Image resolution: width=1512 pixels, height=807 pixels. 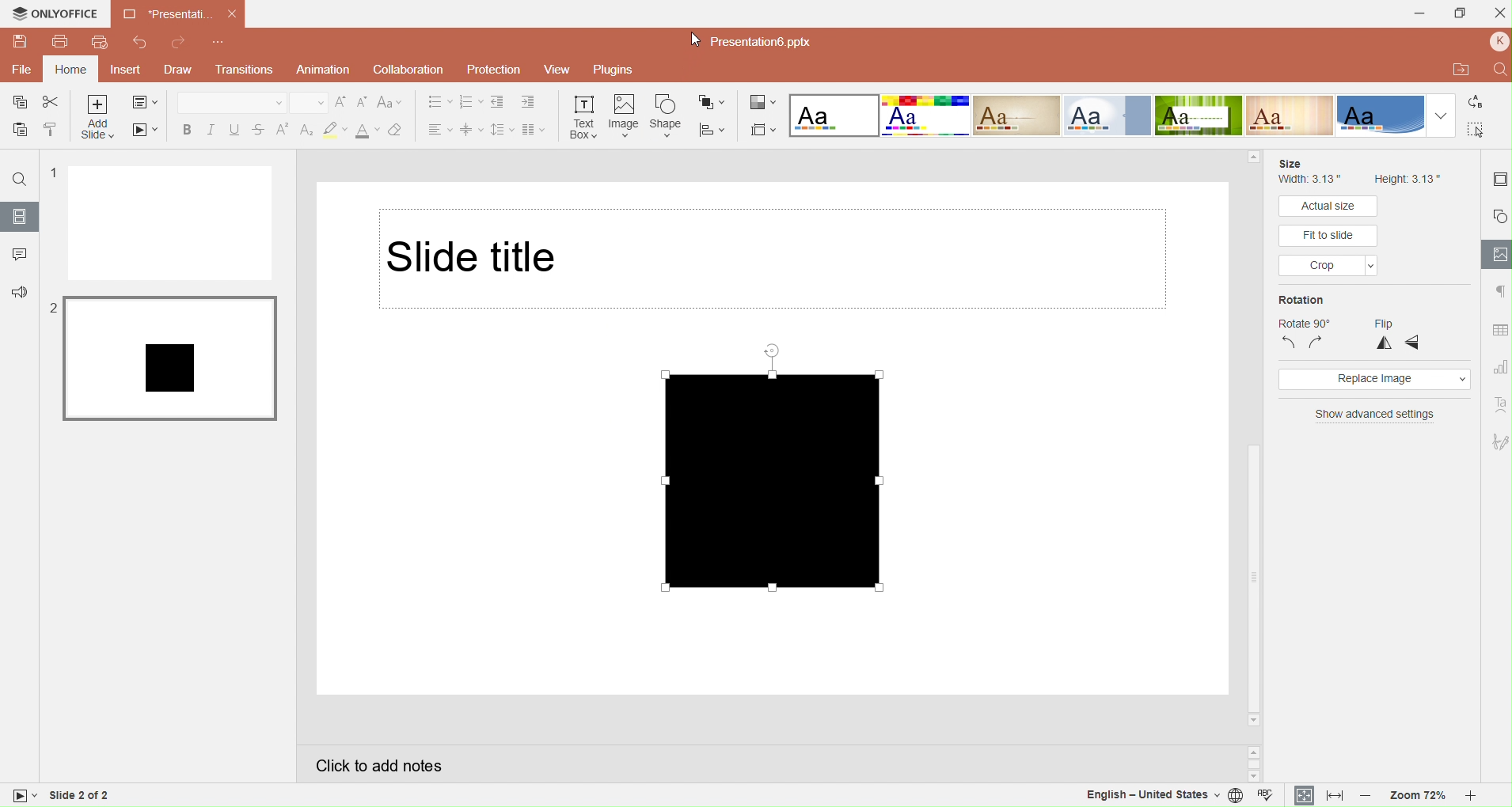 I want to click on SIZE, so click(x=1292, y=163).